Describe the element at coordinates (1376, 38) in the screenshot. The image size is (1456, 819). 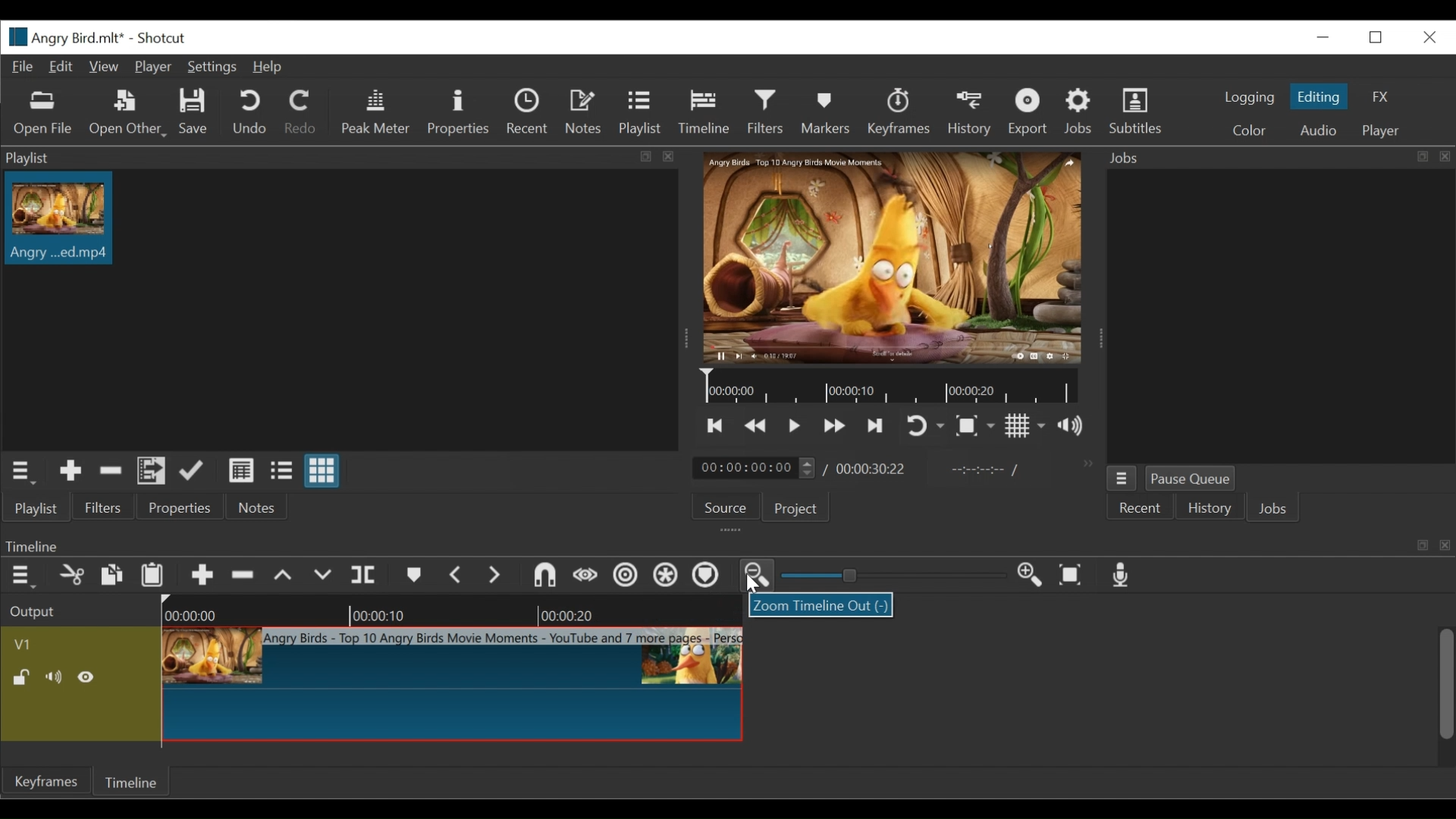
I see `Restore` at that location.